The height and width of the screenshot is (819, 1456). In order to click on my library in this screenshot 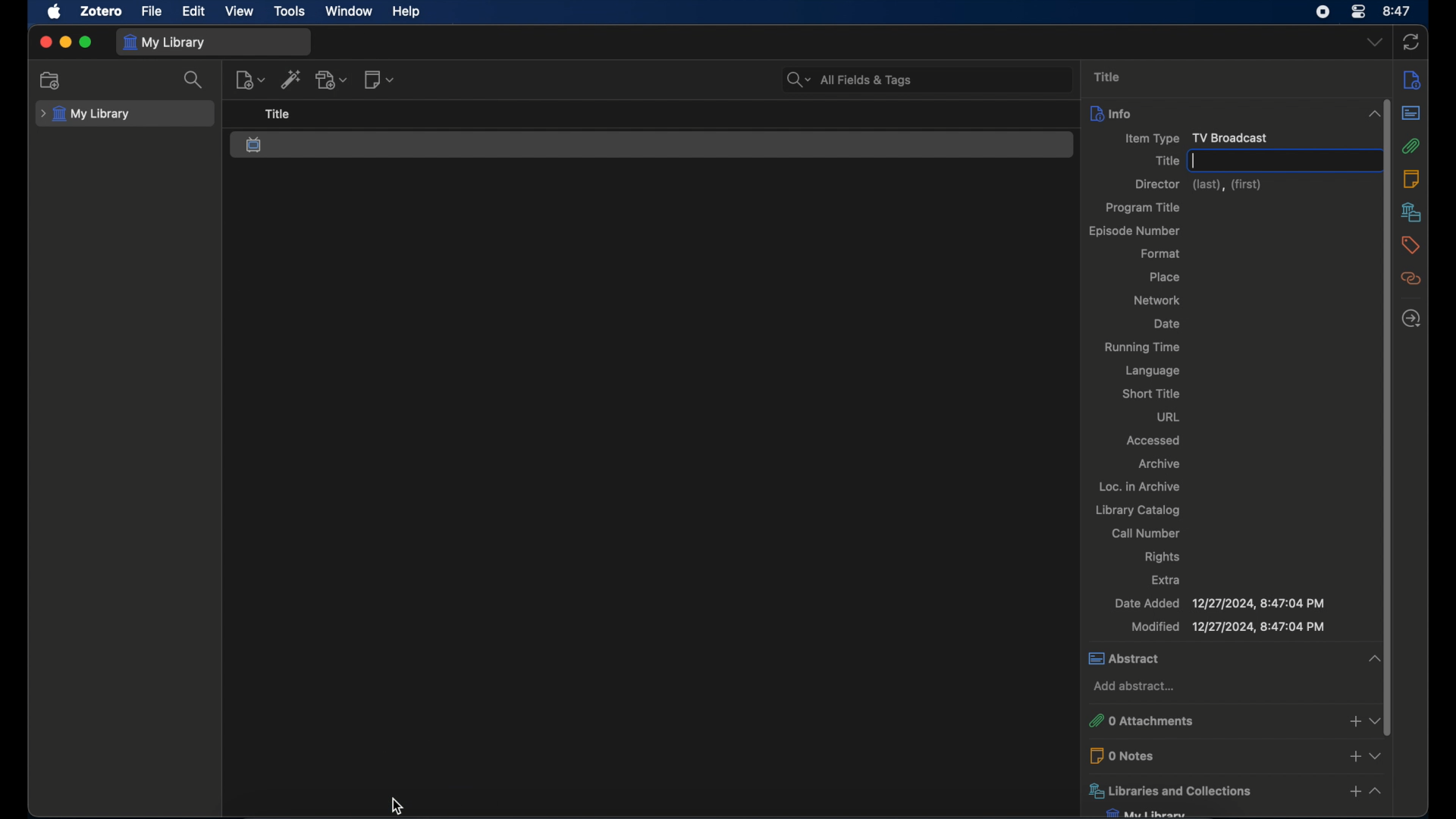, I will do `click(1147, 813)`.